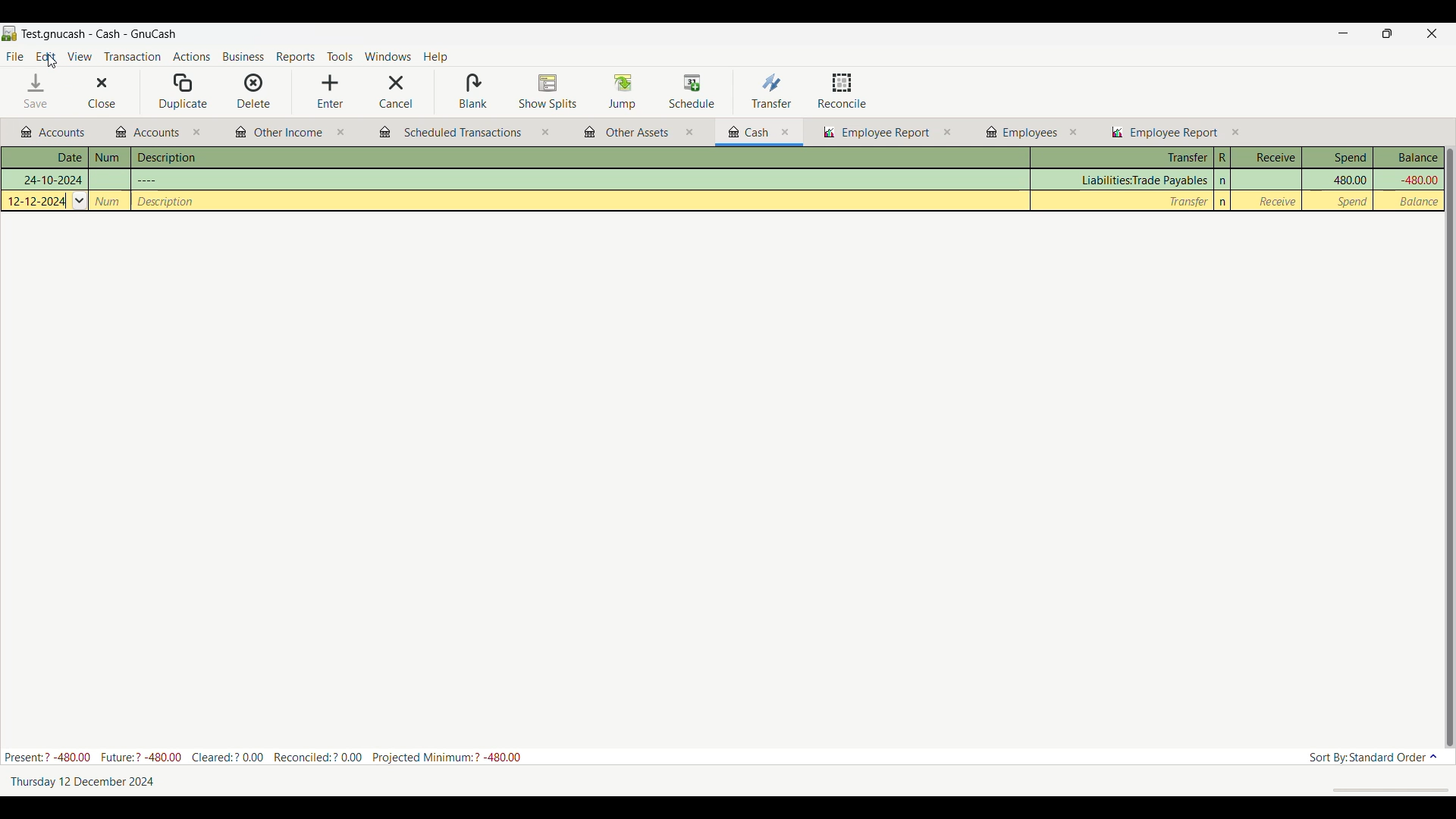 The height and width of the screenshot is (819, 1456). Describe the element at coordinates (1373, 758) in the screenshot. I see `Current sort order` at that location.